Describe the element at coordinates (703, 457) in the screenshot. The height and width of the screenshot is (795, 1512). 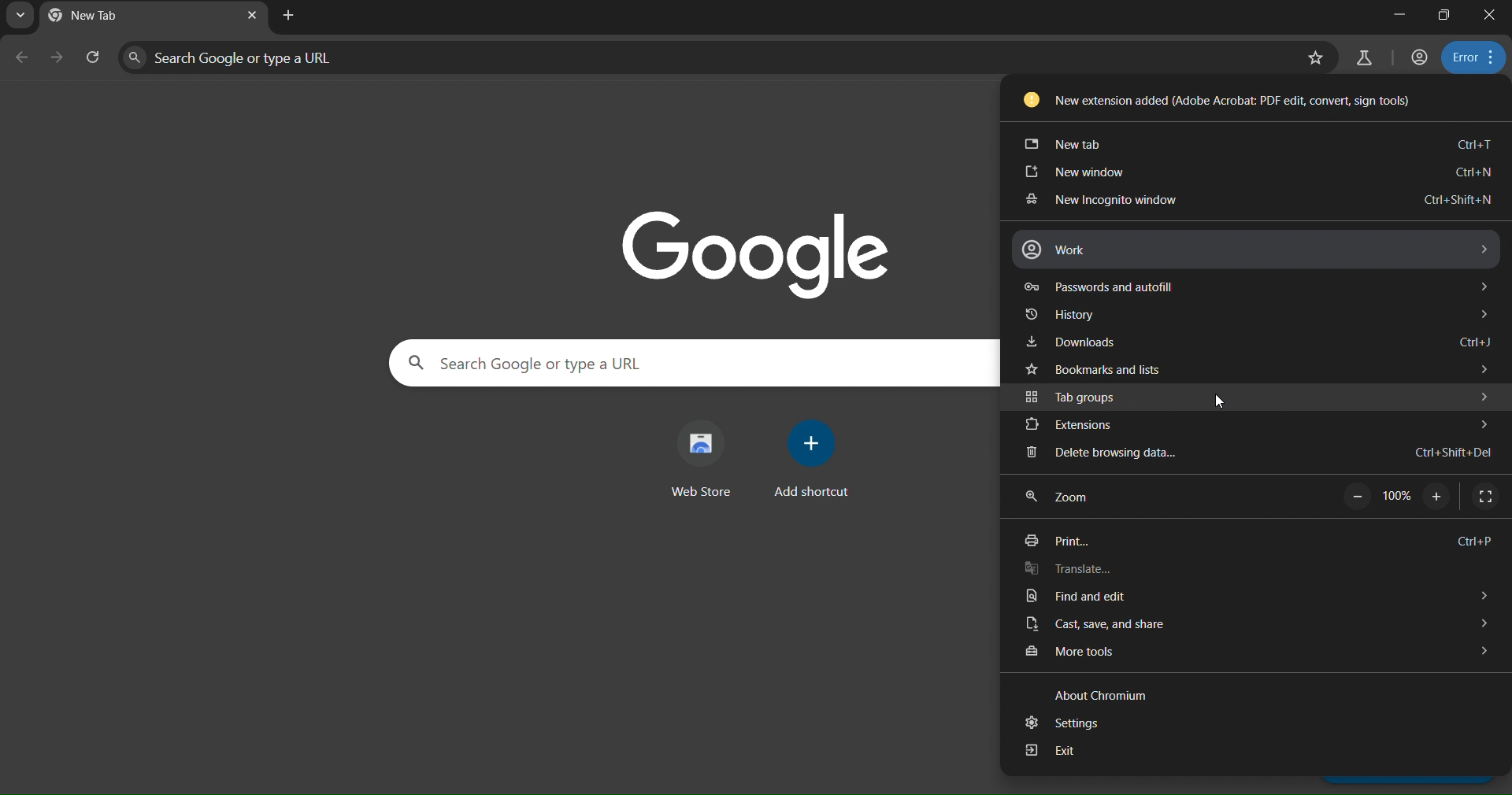
I see `web store` at that location.